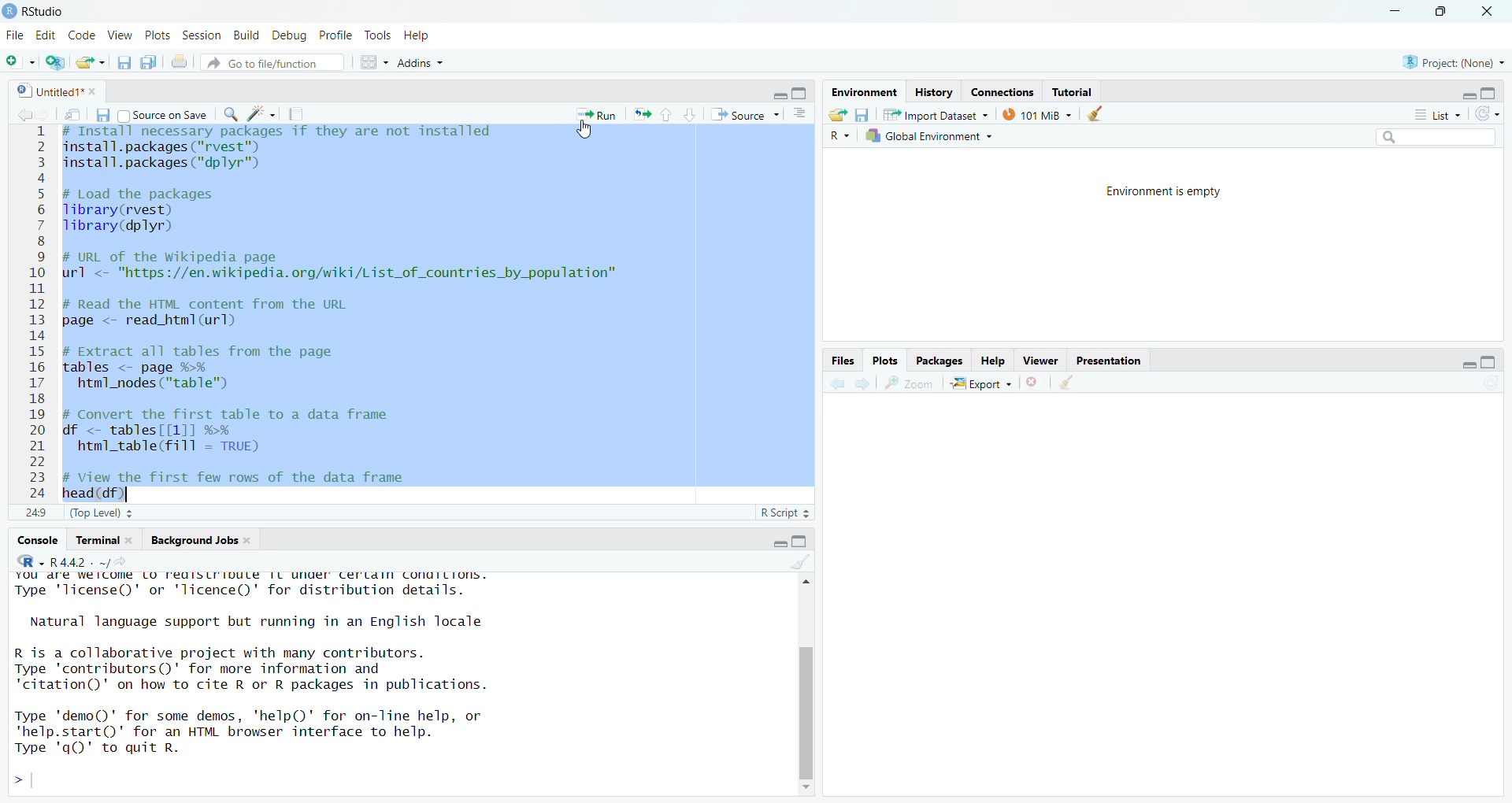 The height and width of the screenshot is (803, 1512). What do you see at coordinates (45, 35) in the screenshot?
I see `Edit` at bounding box center [45, 35].